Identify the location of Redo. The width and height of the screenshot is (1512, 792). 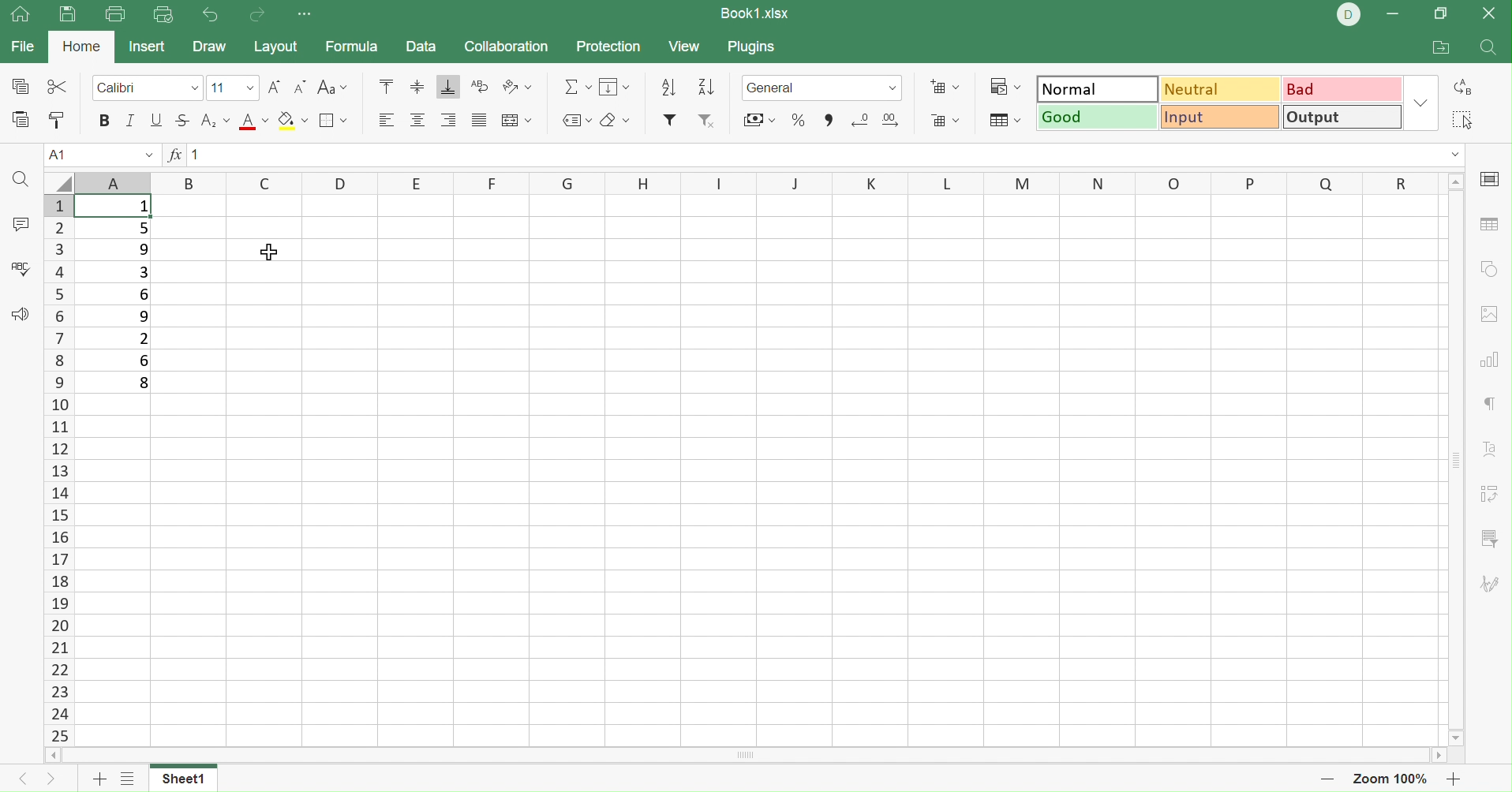
(259, 15).